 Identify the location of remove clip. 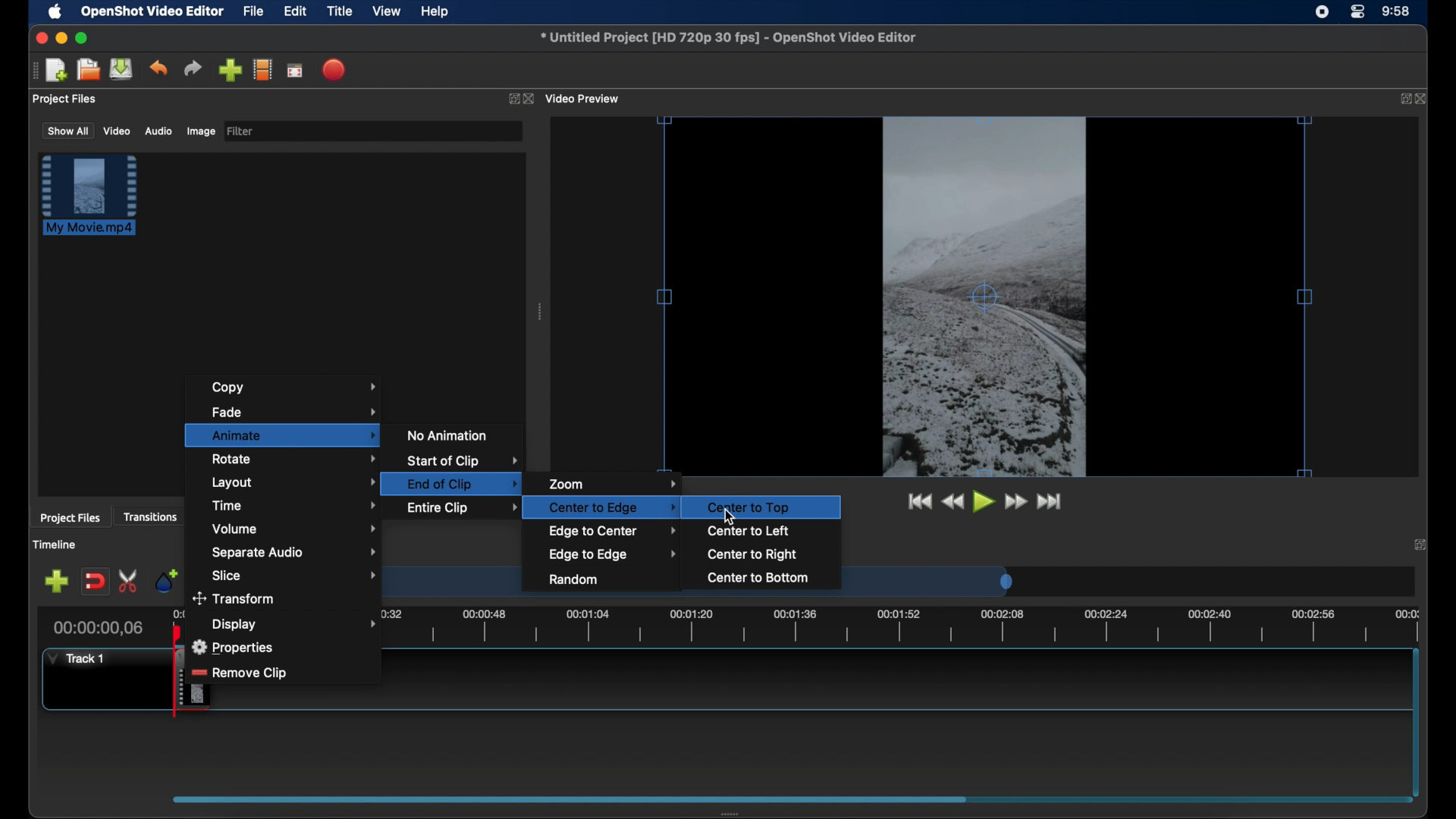
(253, 672).